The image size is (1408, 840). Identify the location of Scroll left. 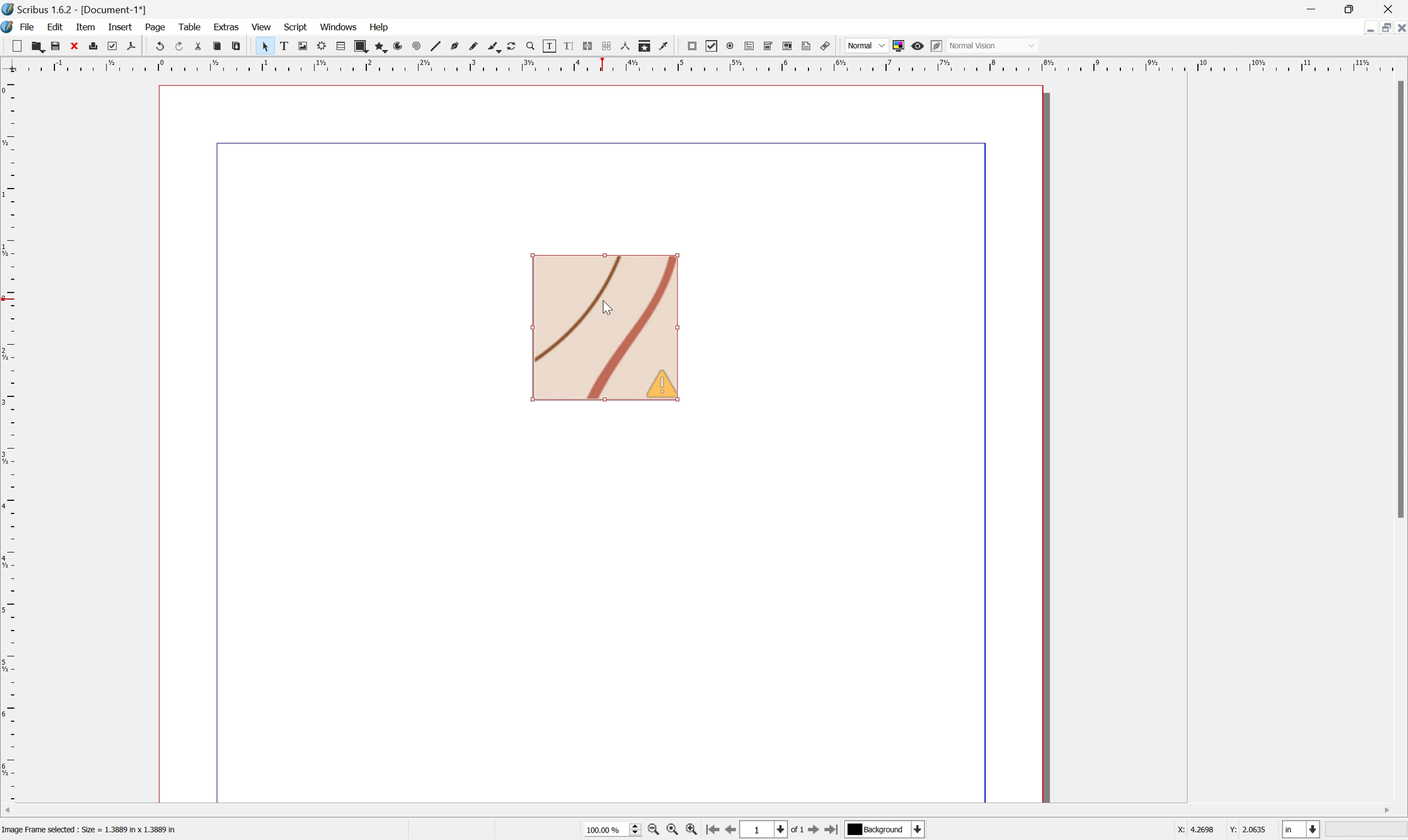
(10, 809).